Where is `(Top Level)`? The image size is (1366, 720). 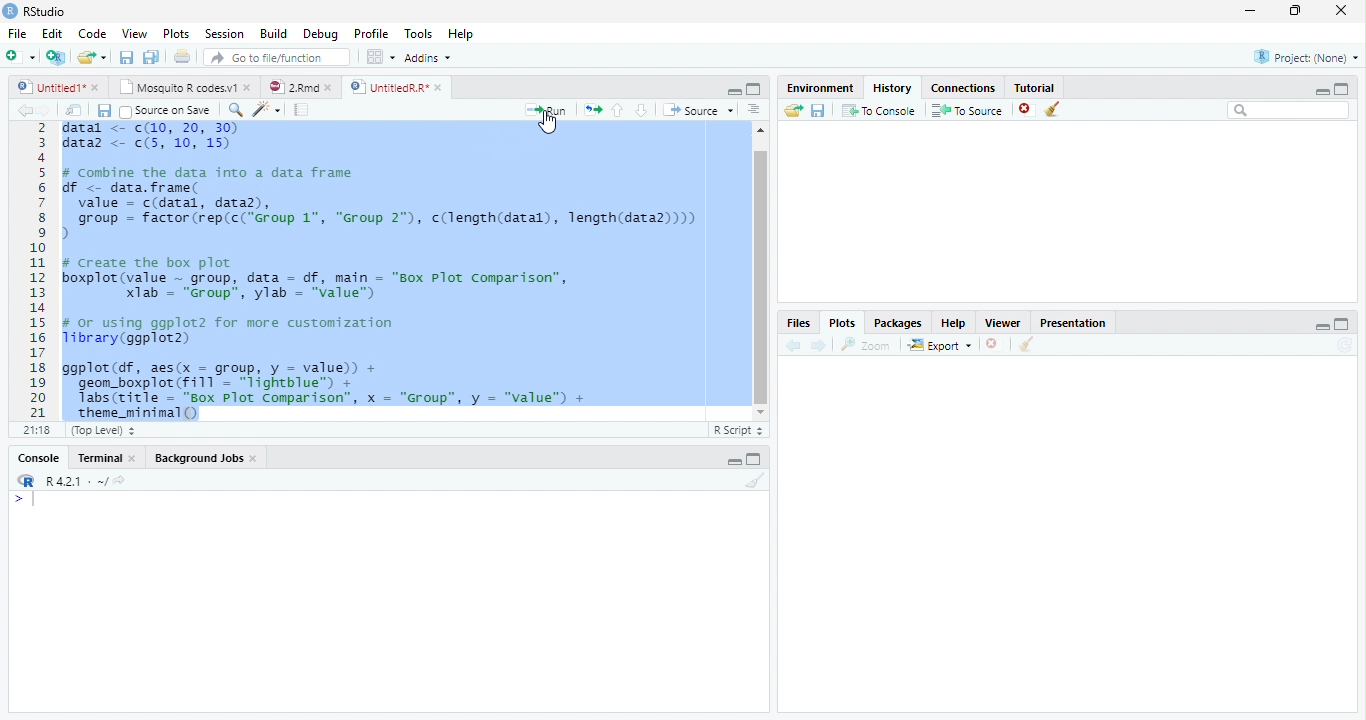
(Top Level) is located at coordinates (101, 431).